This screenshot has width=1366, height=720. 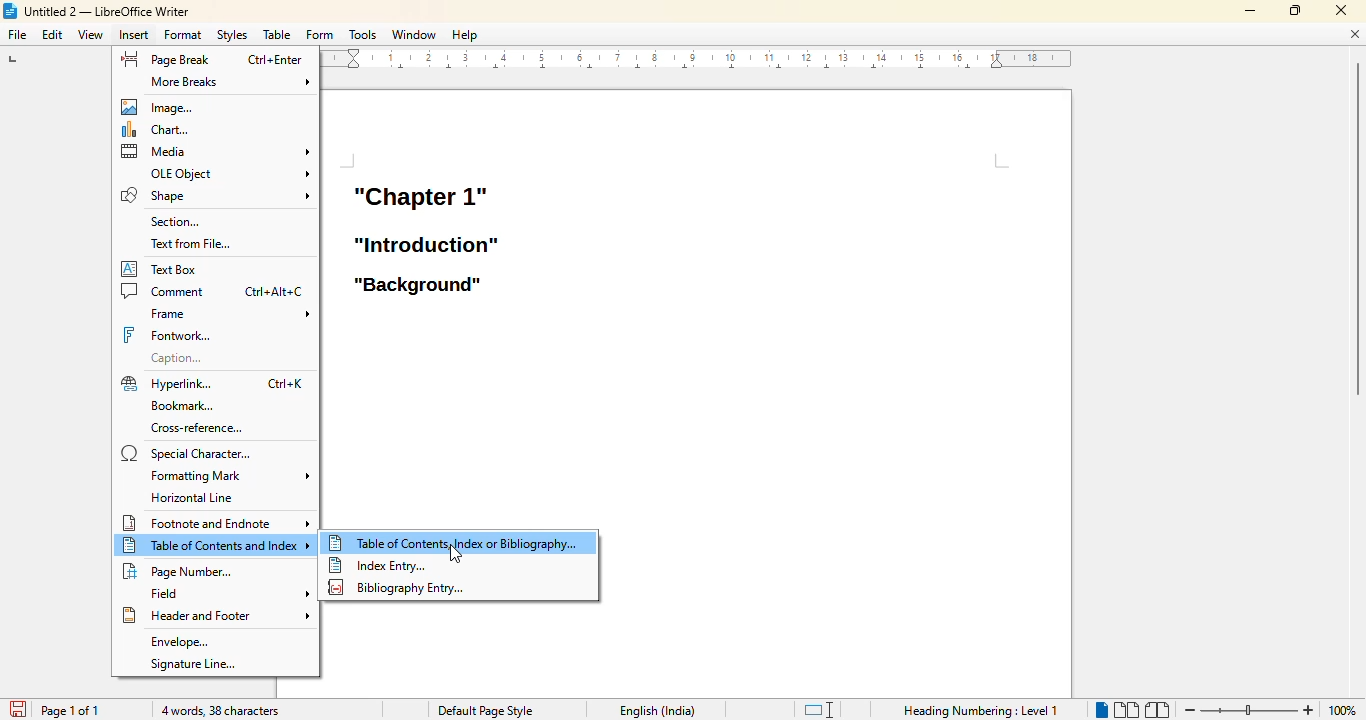 What do you see at coordinates (1126, 709) in the screenshot?
I see `multi-page view` at bounding box center [1126, 709].